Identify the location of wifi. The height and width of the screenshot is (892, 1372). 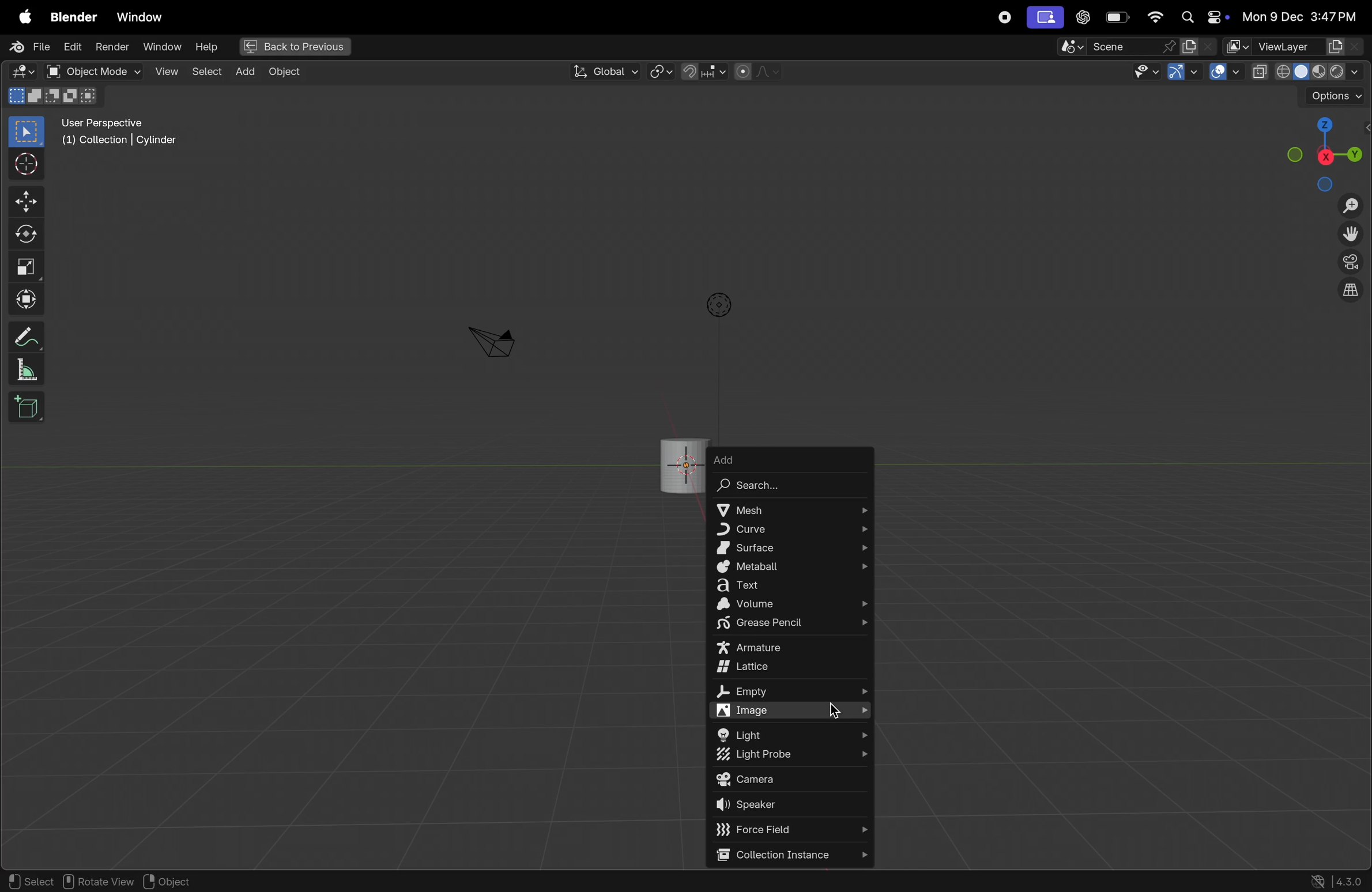
(1155, 17).